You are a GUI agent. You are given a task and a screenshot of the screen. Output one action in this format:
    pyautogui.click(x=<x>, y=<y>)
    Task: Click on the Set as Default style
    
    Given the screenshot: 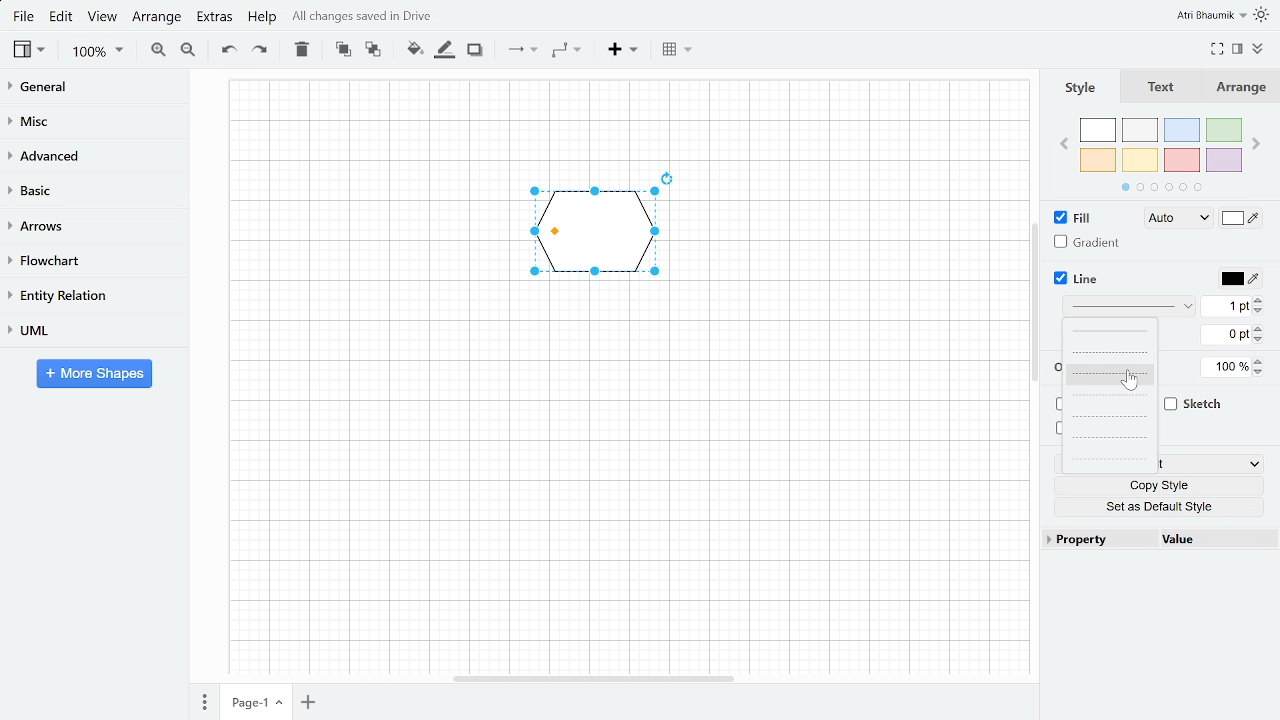 What is the action you would take?
    pyautogui.click(x=1160, y=506)
    